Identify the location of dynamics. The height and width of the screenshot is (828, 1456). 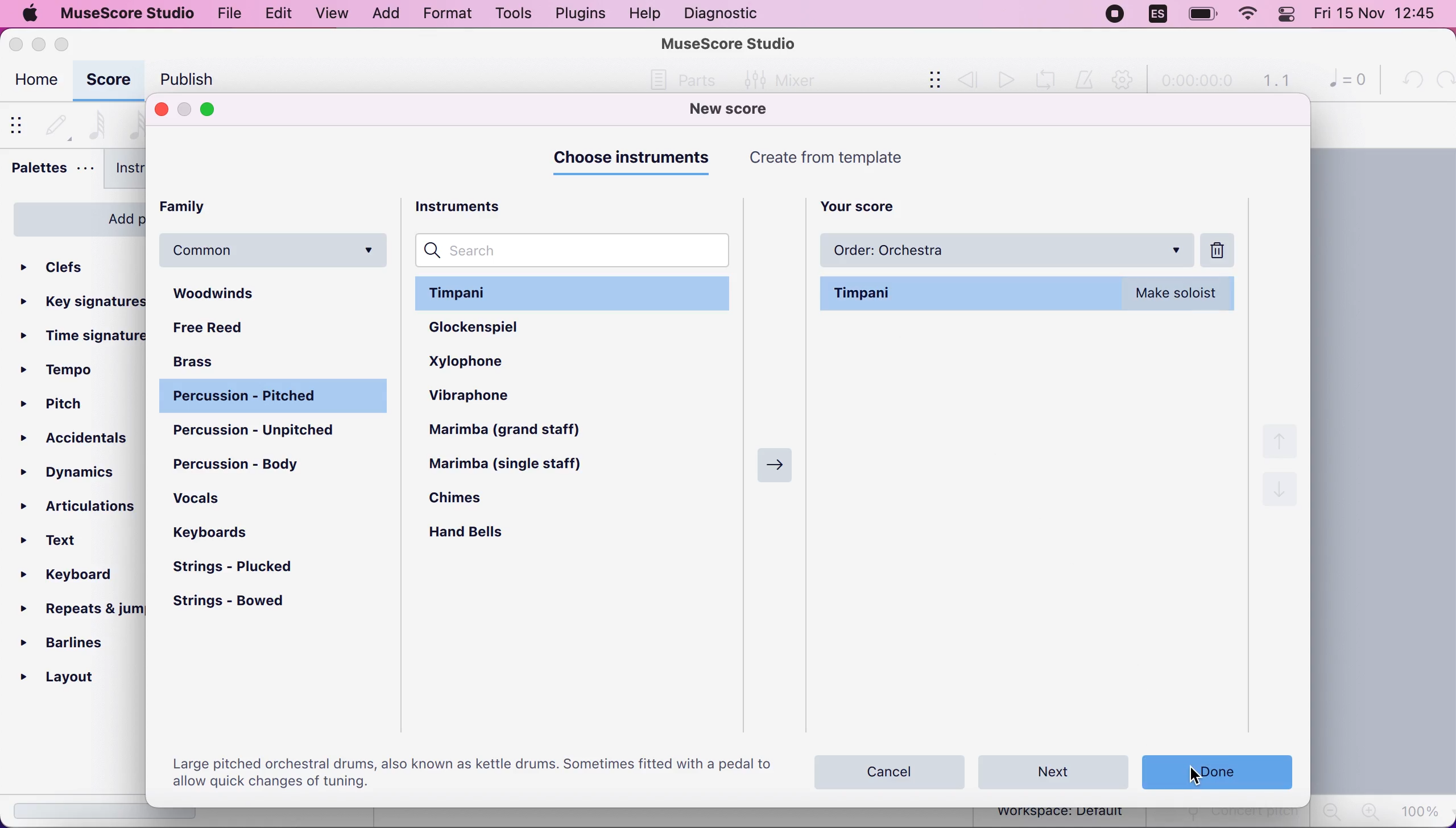
(78, 470).